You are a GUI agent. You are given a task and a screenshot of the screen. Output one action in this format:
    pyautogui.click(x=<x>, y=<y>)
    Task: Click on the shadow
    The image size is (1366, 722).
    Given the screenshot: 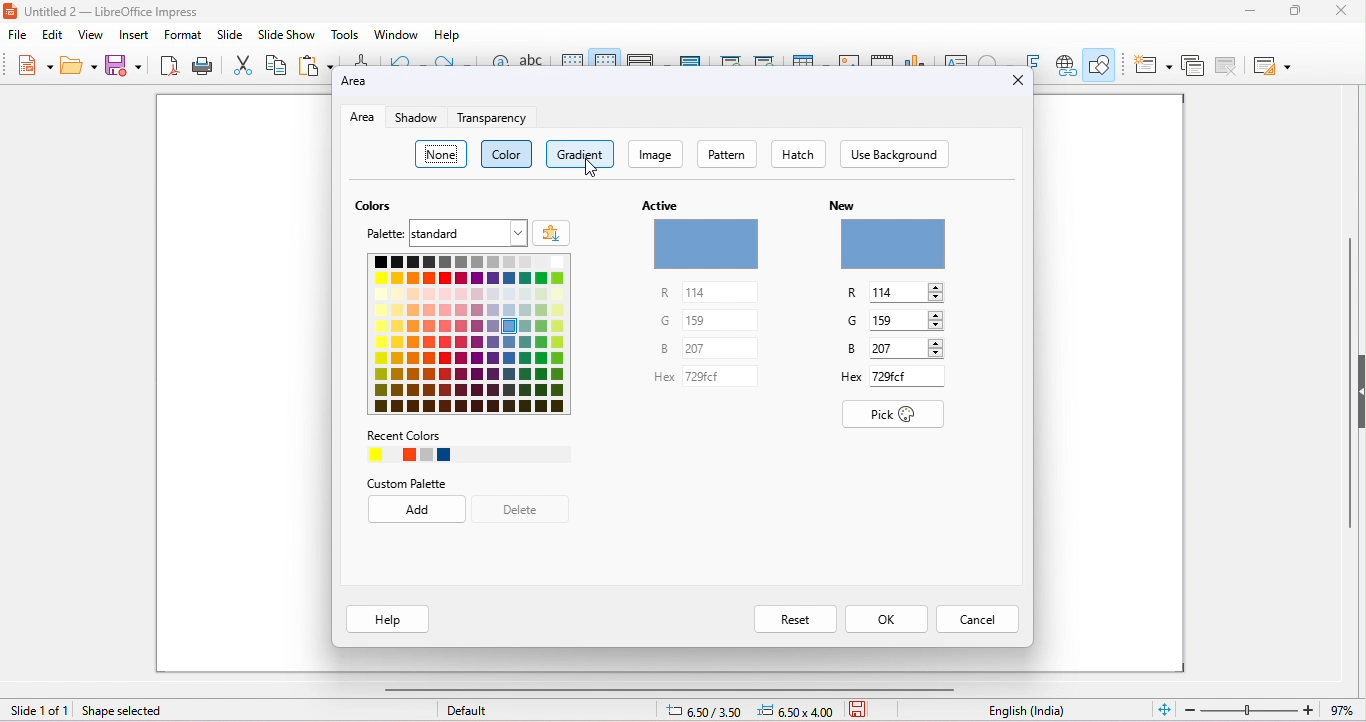 What is the action you would take?
    pyautogui.click(x=420, y=118)
    